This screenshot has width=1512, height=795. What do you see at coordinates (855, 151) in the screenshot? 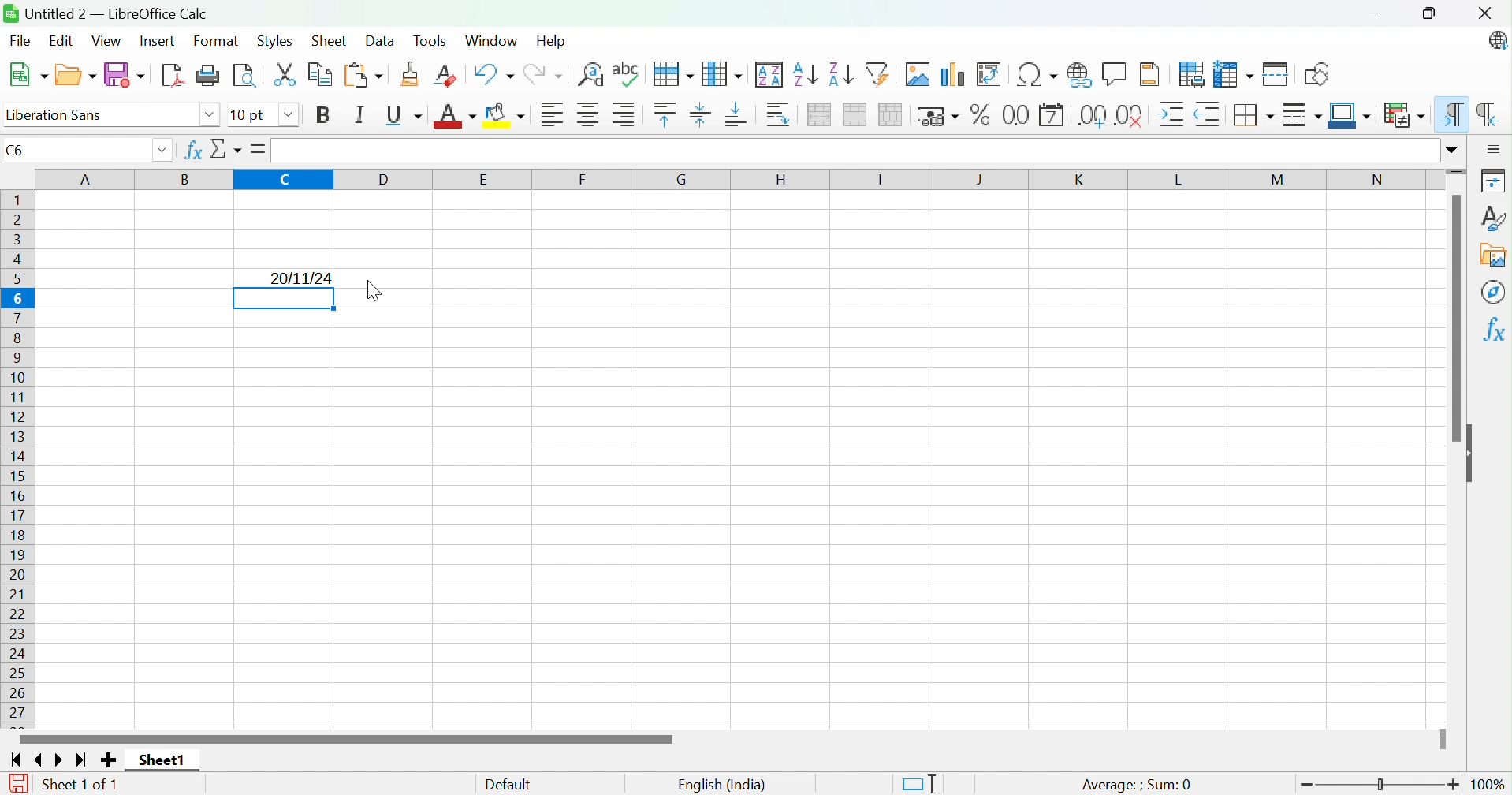
I see `Input line` at bounding box center [855, 151].